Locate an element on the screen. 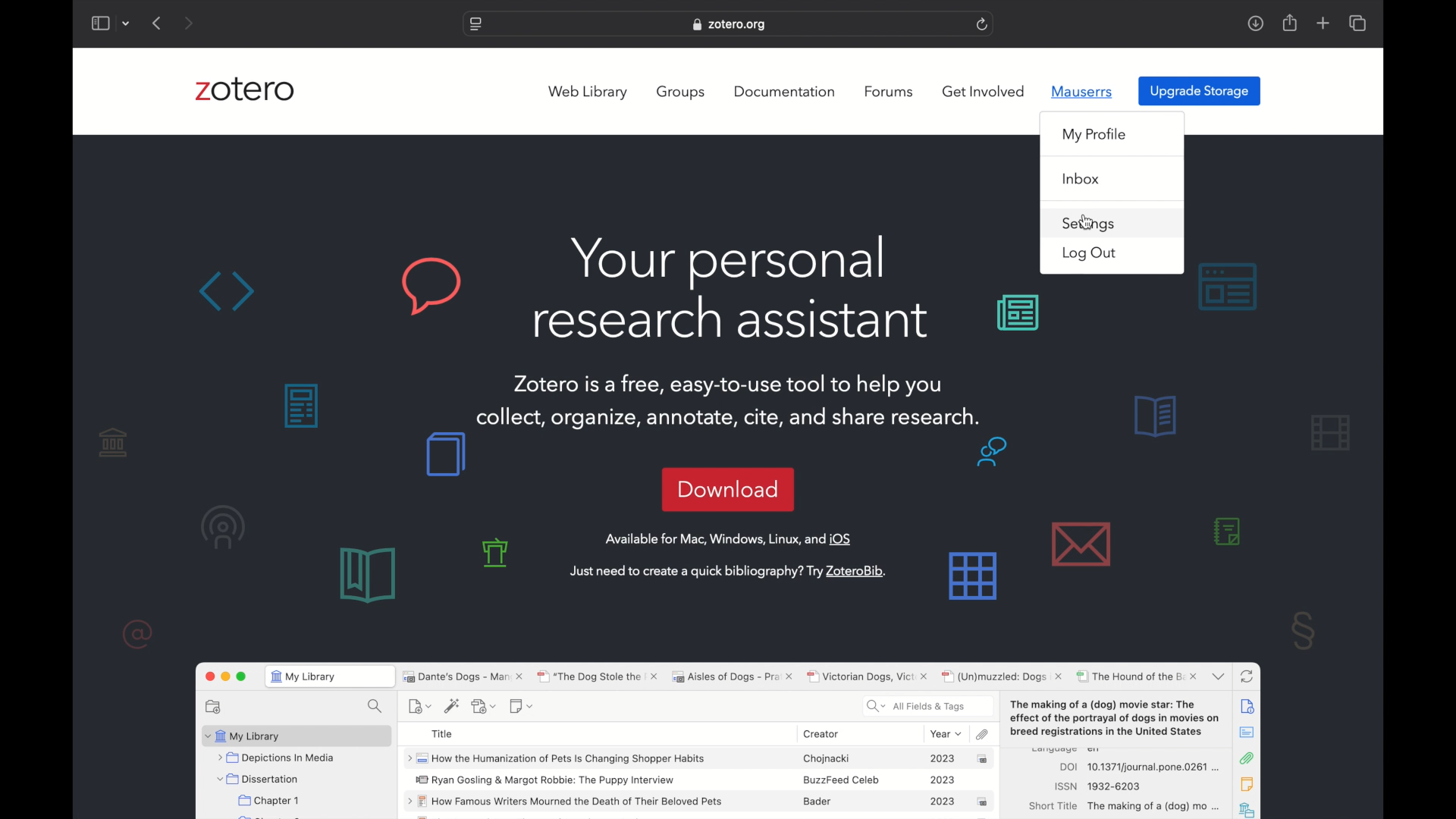 This screenshot has height=819, width=1456. forums is located at coordinates (889, 91).